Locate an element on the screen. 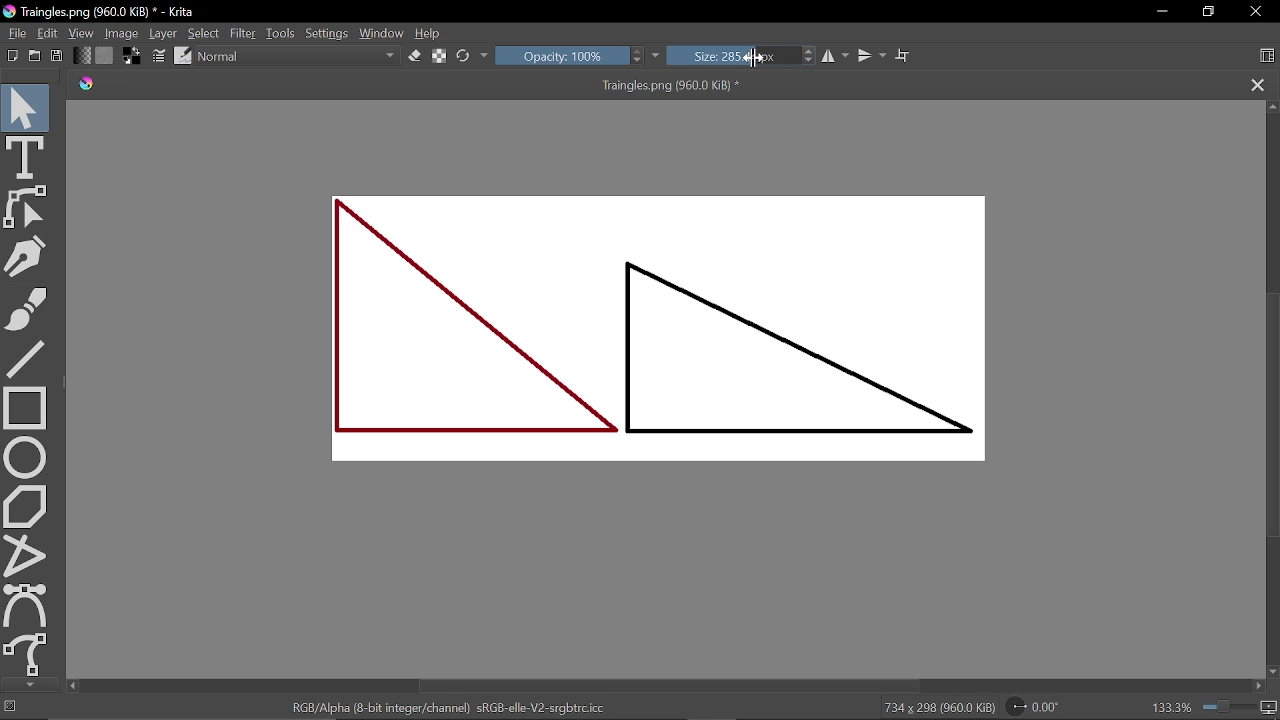 The height and width of the screenshot is (720, 1280). Bezier curve tool is located at coordinates (26, 605).